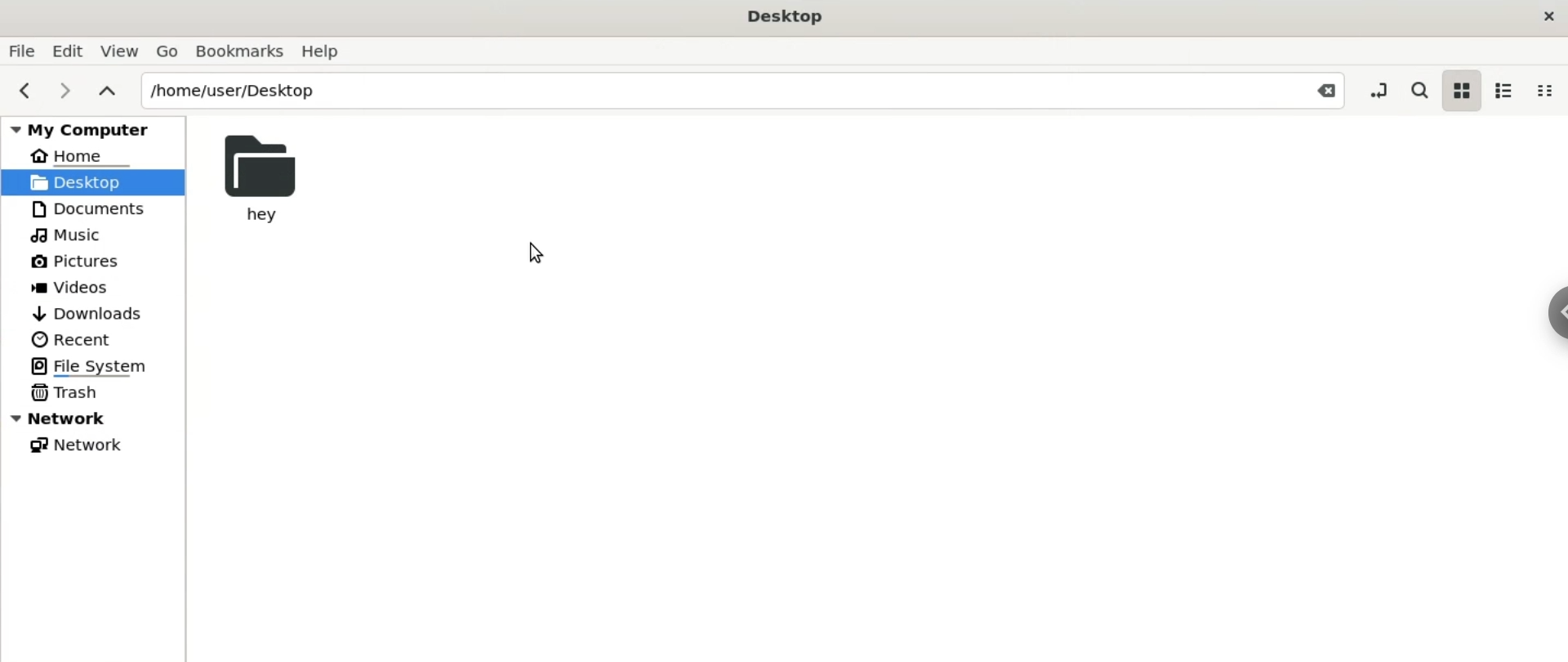 This screenshot has height=662, width=1568. What do you see at coordinates (71, 50) in the screenshot?
I see `edit` at bounding box center [71, 50].